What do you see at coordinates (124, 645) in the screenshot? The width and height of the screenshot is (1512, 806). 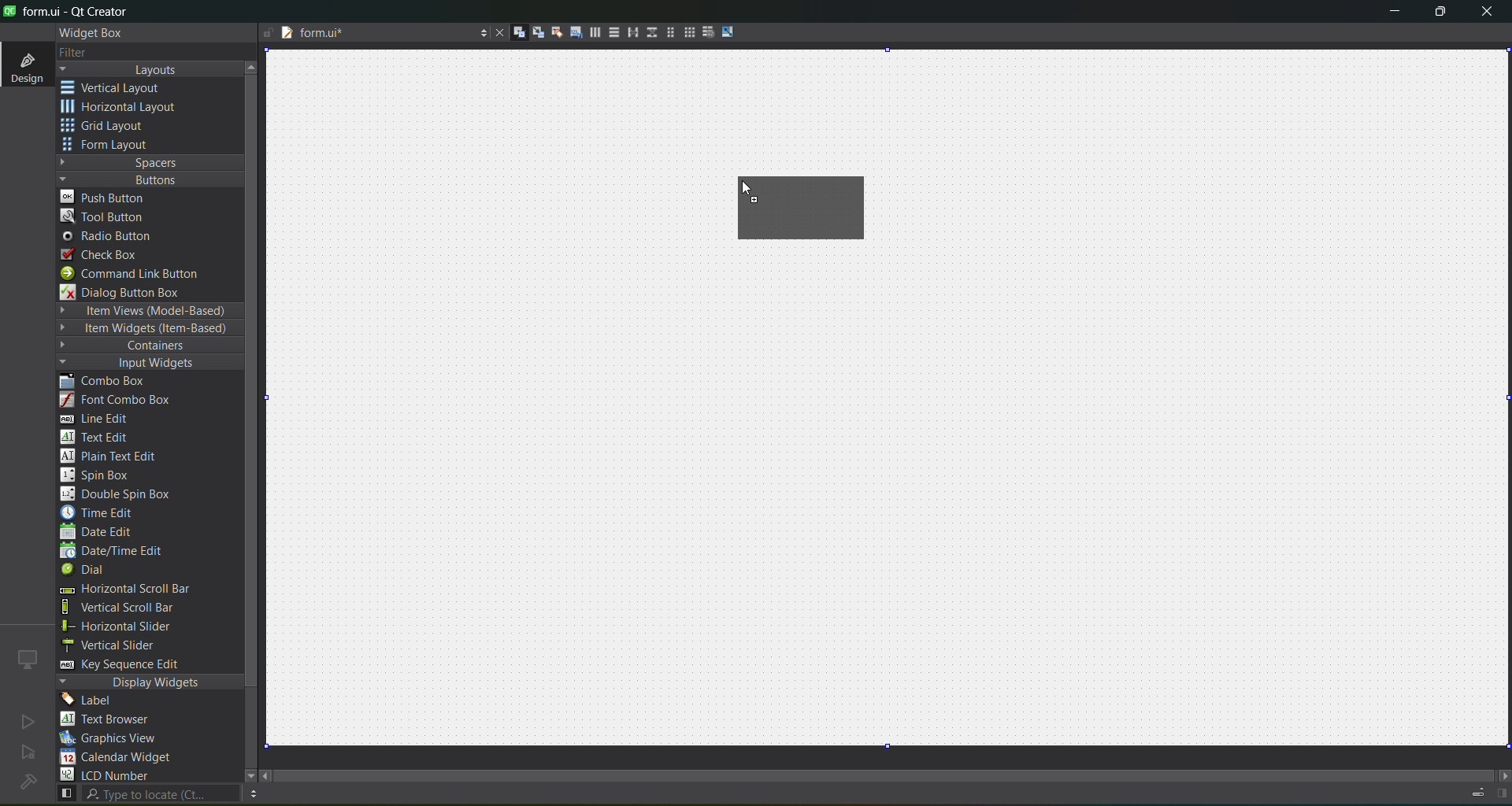 I see `vertical slider` at bounding box center [124, 645].